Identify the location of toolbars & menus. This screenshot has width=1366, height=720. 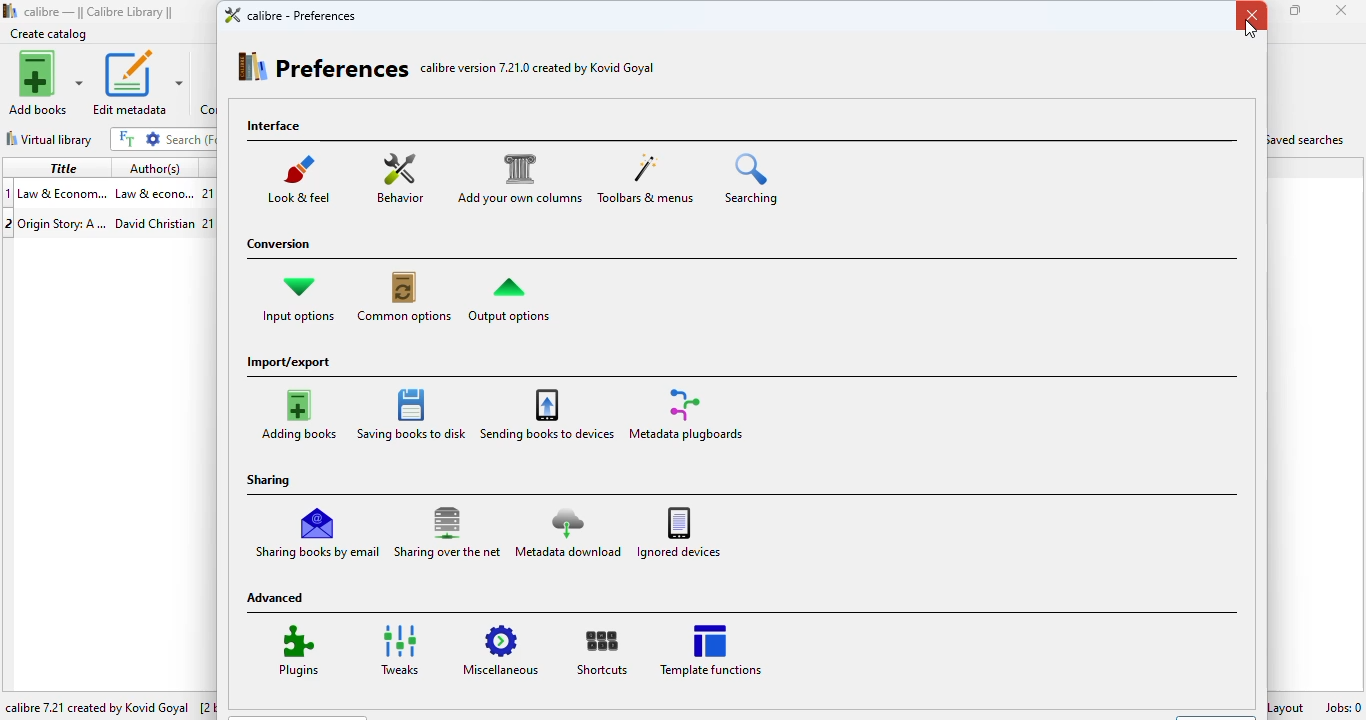
(649, 177).